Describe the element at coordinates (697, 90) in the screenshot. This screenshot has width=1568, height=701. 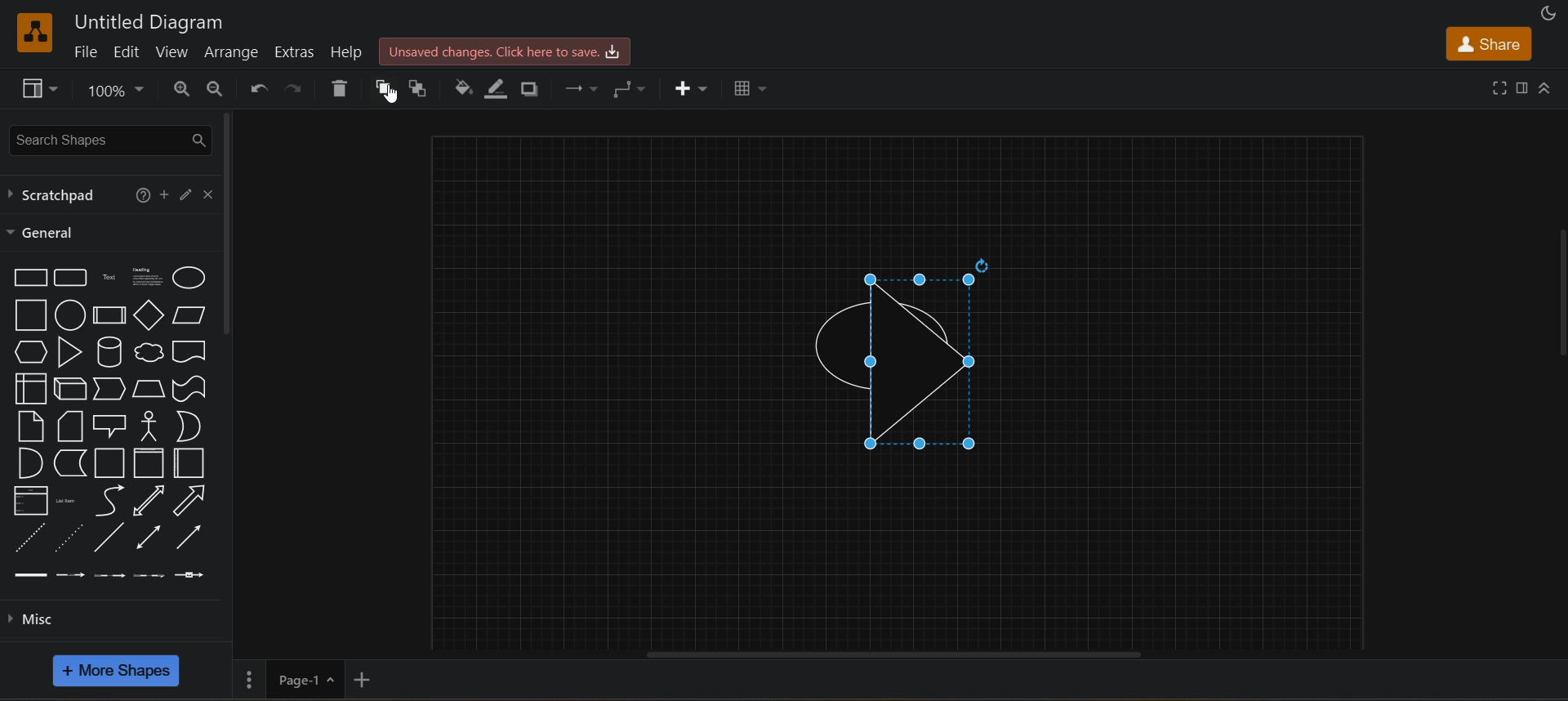
I see `insert` at that location.